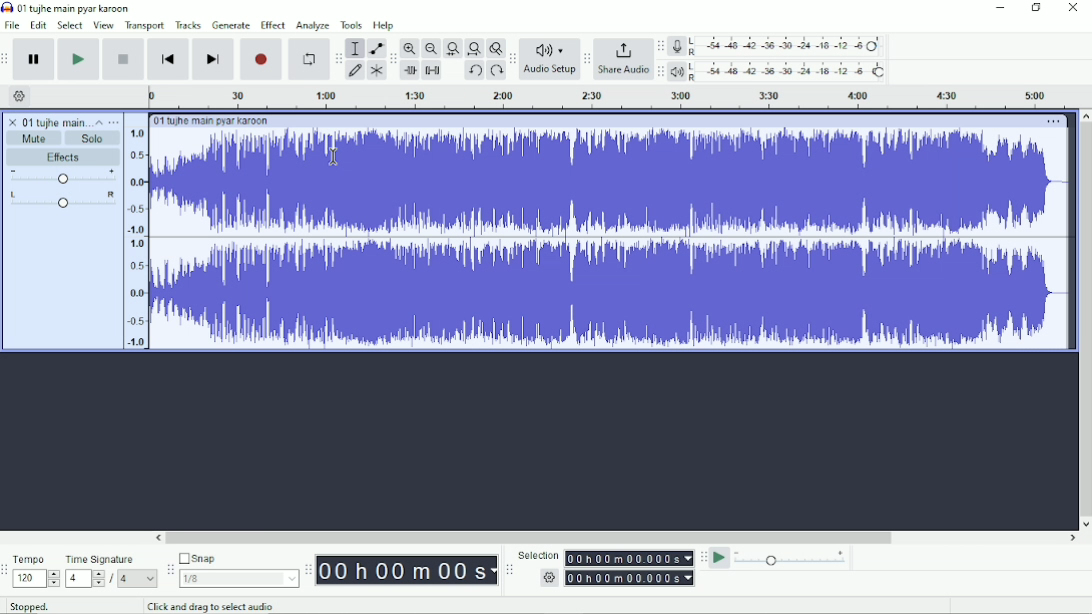 This screenshot has width=1092, height=614. Describe the element at coordinates (79, 59) in the screenshot. I see `Play` at that location.